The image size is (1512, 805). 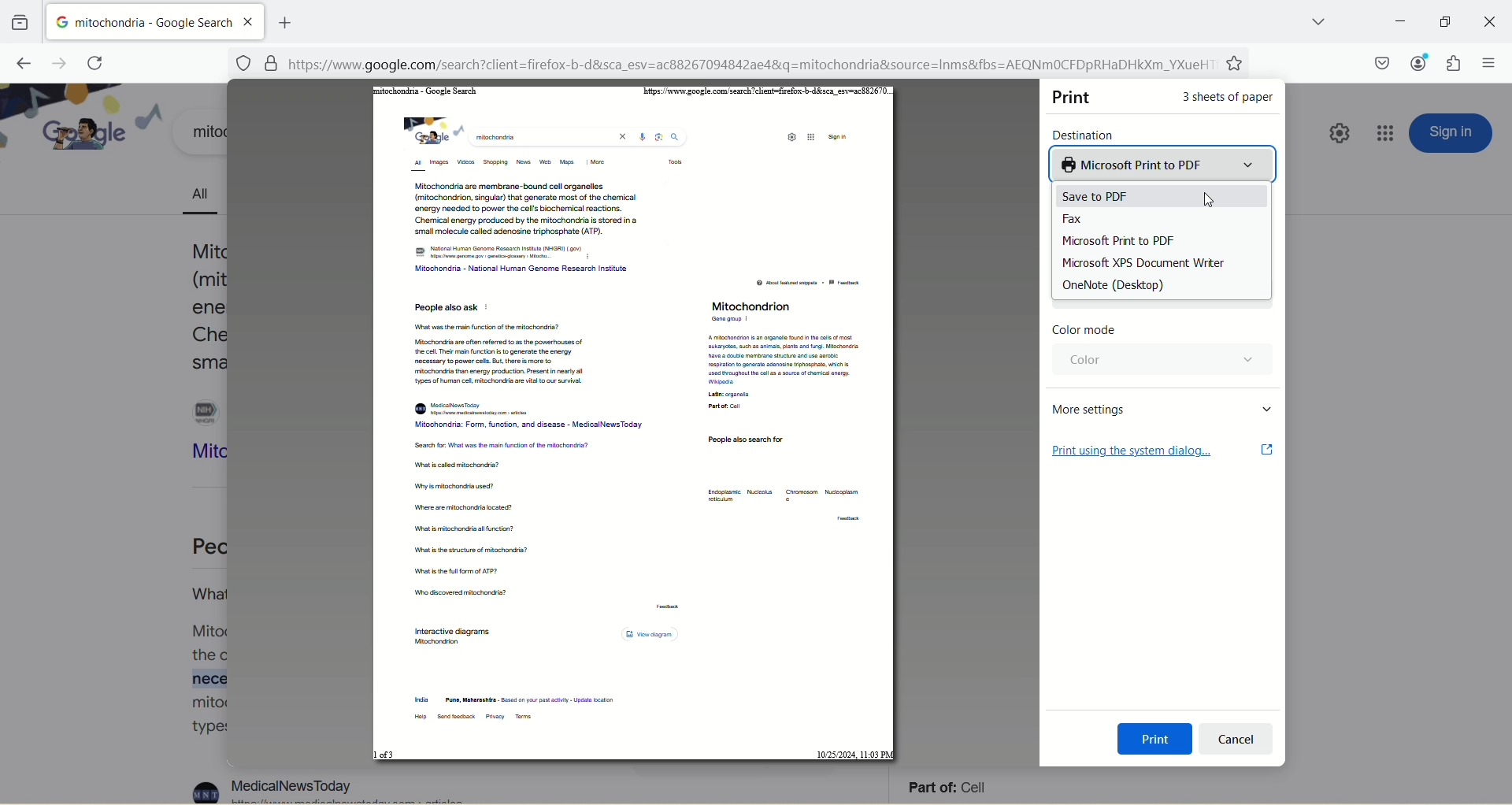 I want to click on mitochondria-google search, so click(x=139, y=20).